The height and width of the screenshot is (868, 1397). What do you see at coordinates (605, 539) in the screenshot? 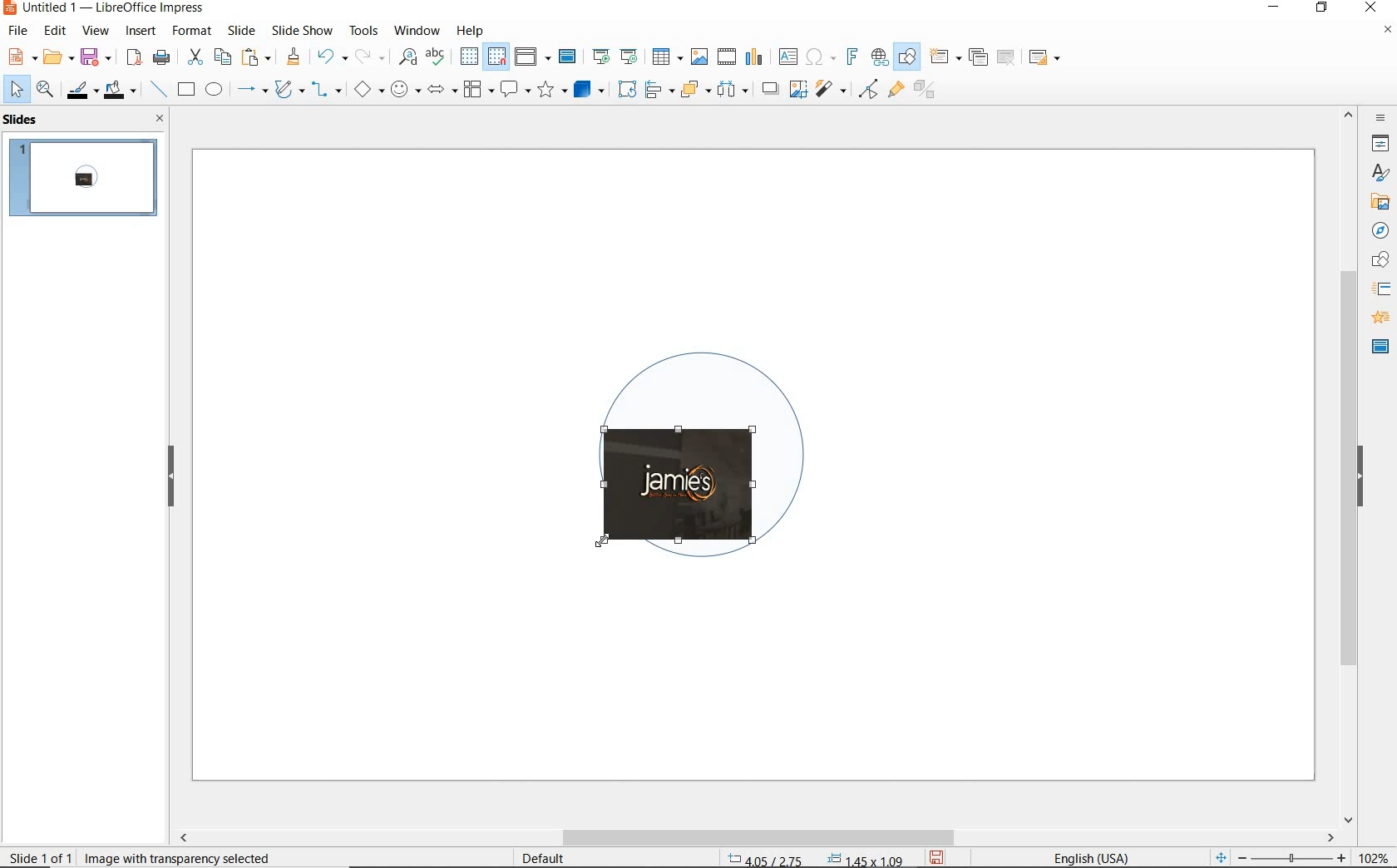
I see `Cursor` at bounding box center [605, 539].